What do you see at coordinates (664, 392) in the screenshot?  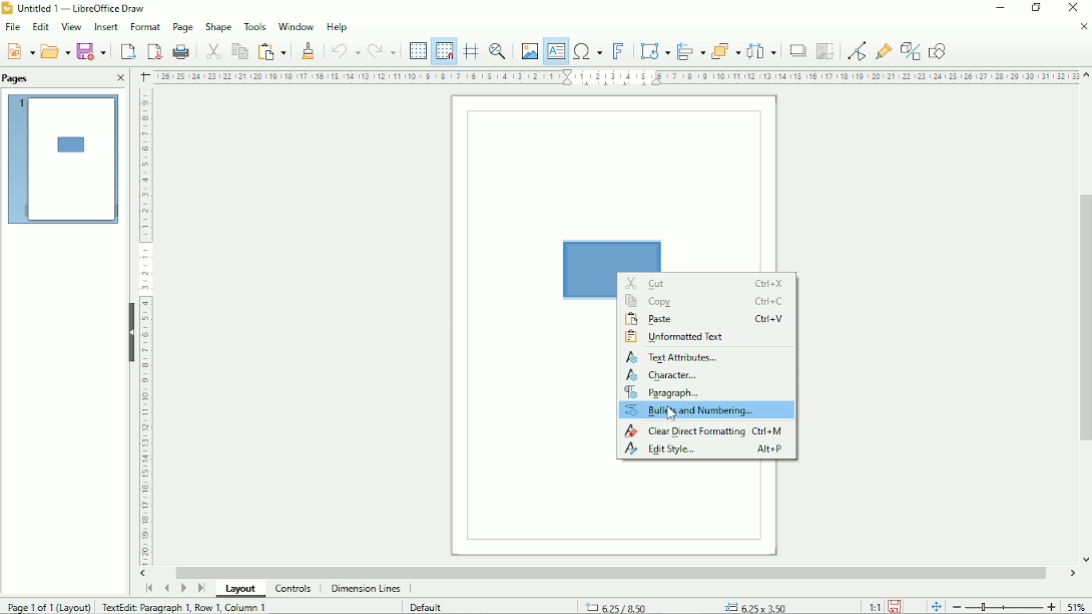 I see `Paragraph` at bounding box center [664, 392].